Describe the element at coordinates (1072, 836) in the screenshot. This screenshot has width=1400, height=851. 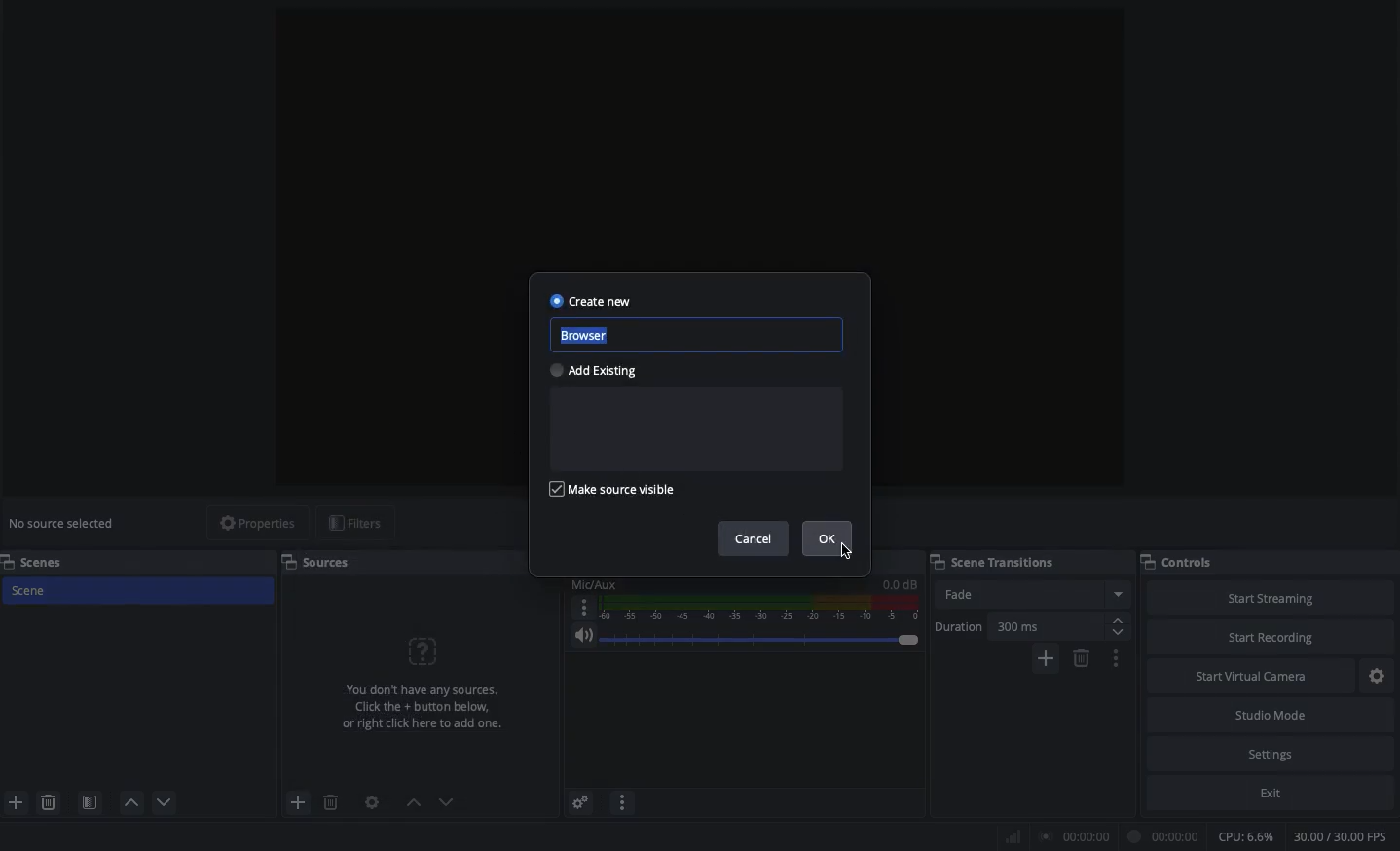
I see `Broadcast` at that location.